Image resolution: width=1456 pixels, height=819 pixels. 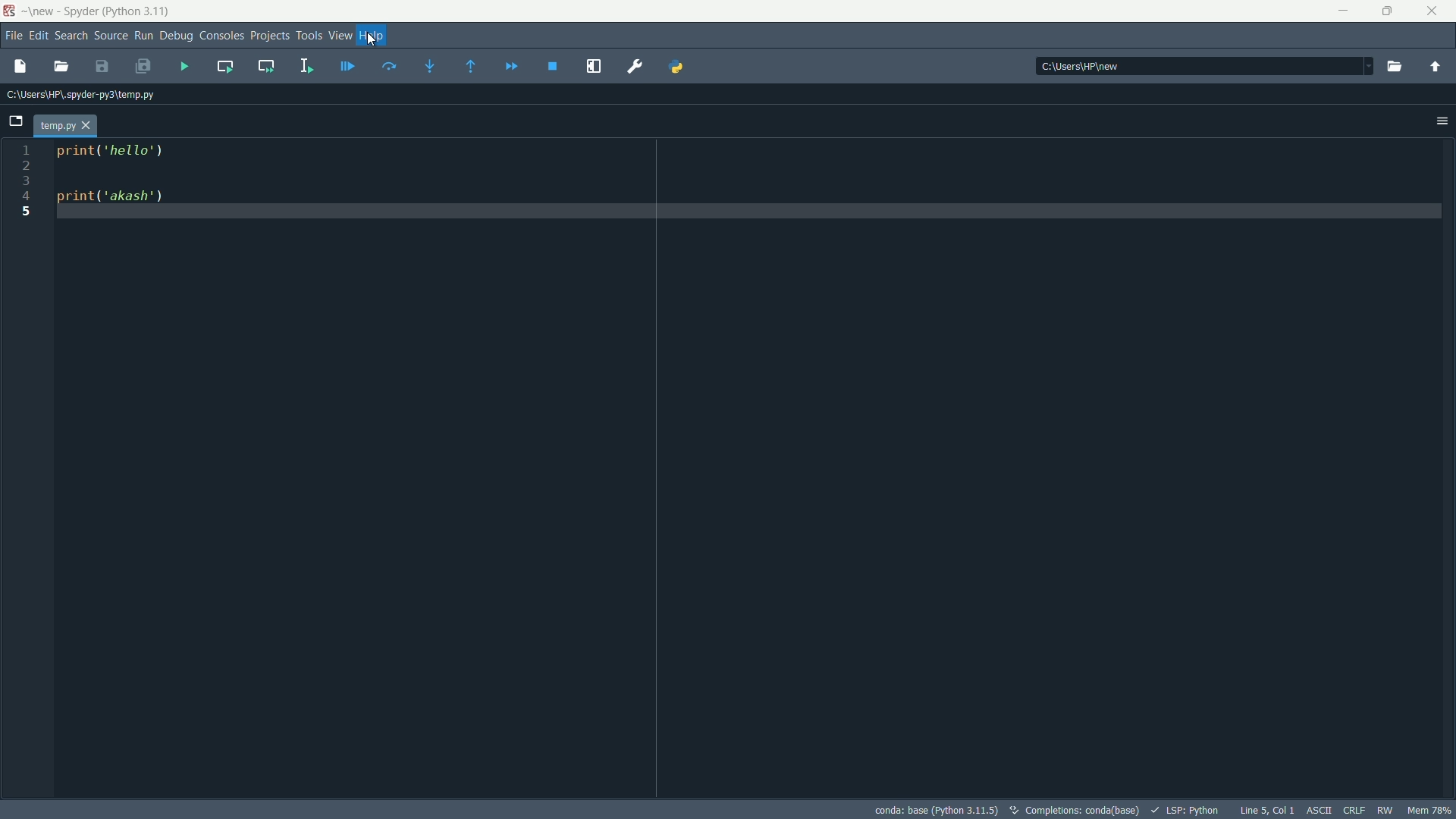 I want to click on source menu, so click(x=111, y=35).